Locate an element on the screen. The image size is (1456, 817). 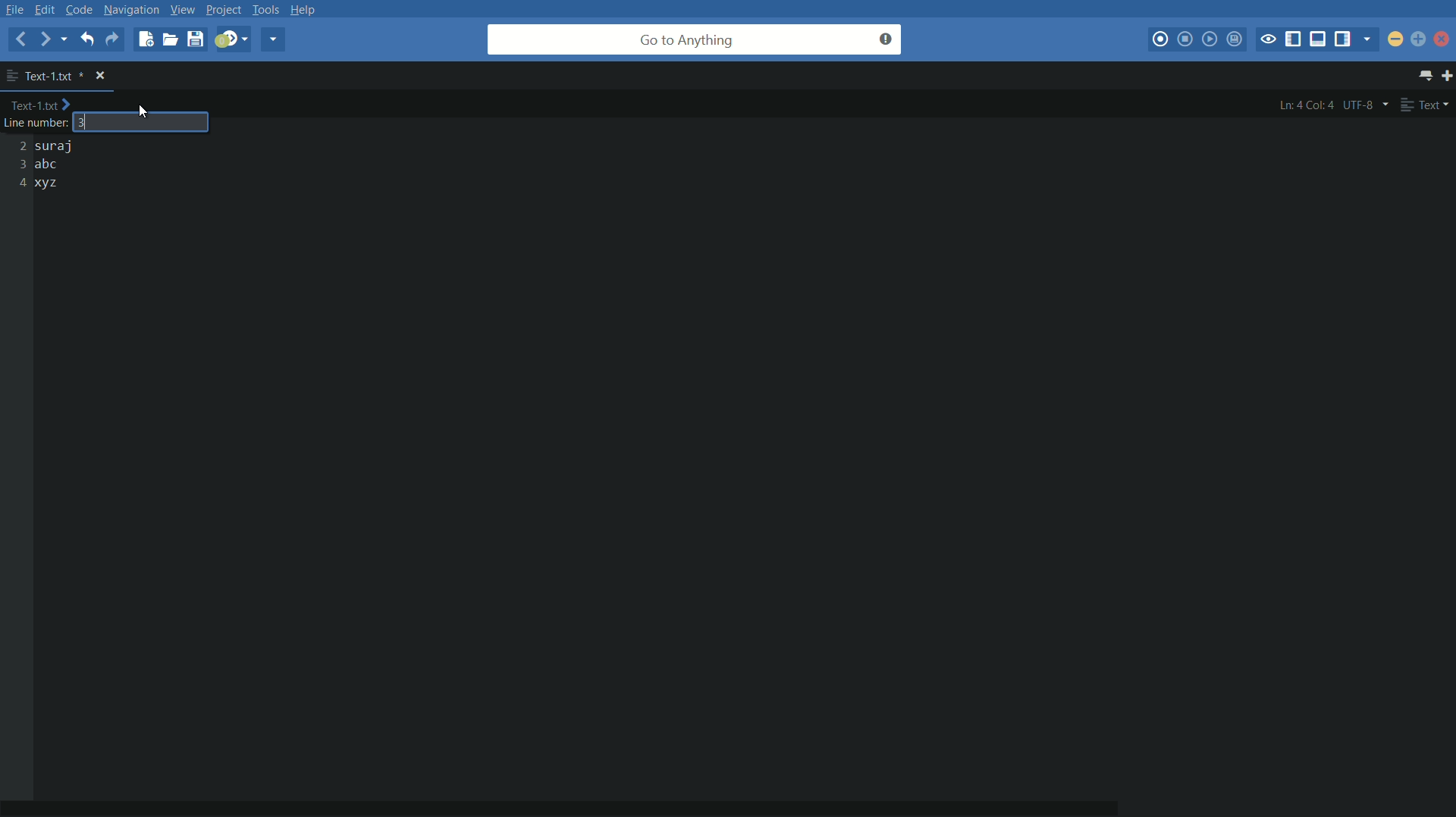
share current file is located at coordinates (272, 39).